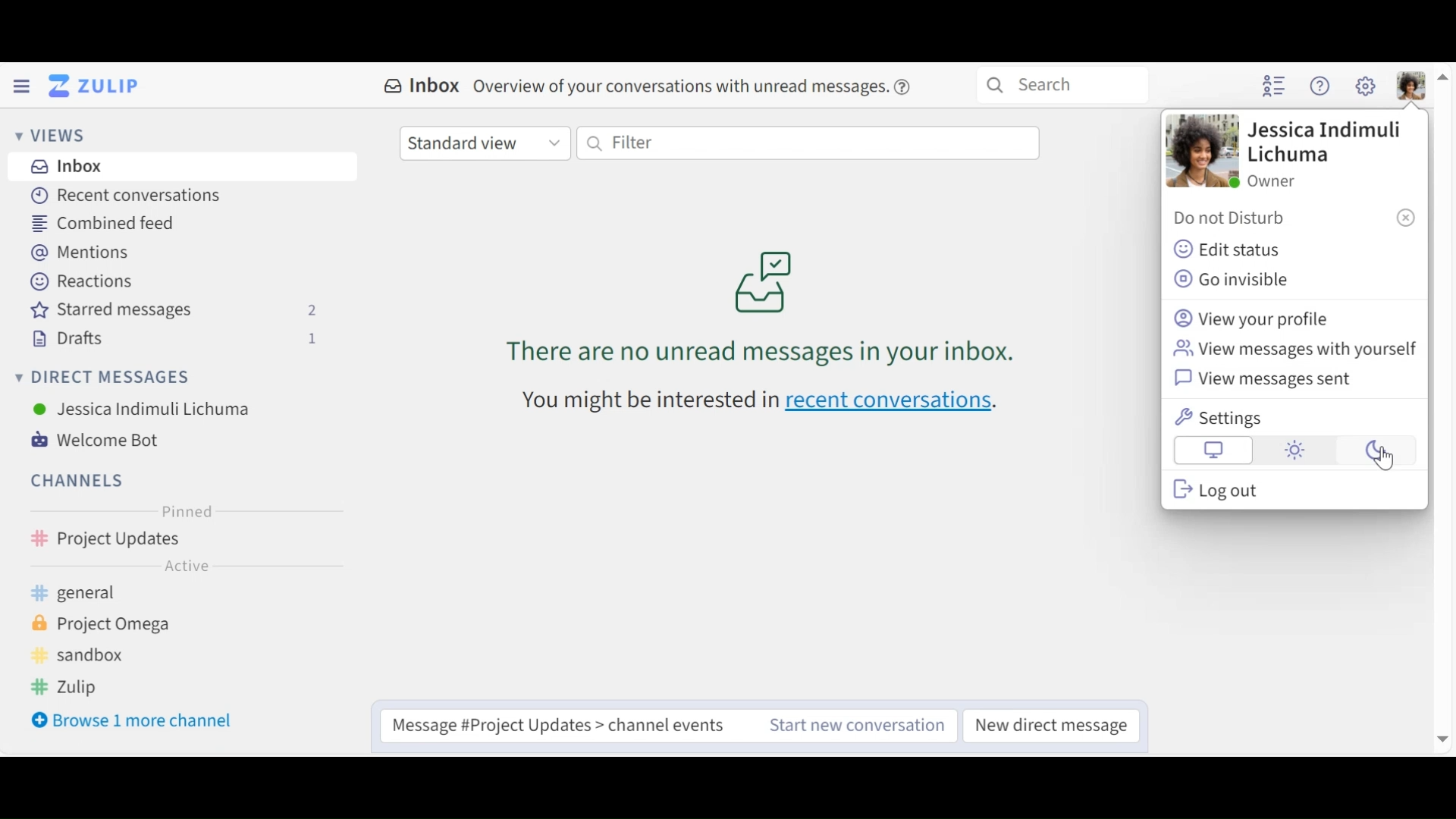 The image size is (1456, 819). What do you see at coordinates (1062, 85) in the screenshot?
I see `Search` at bounding box center [1062, 85].